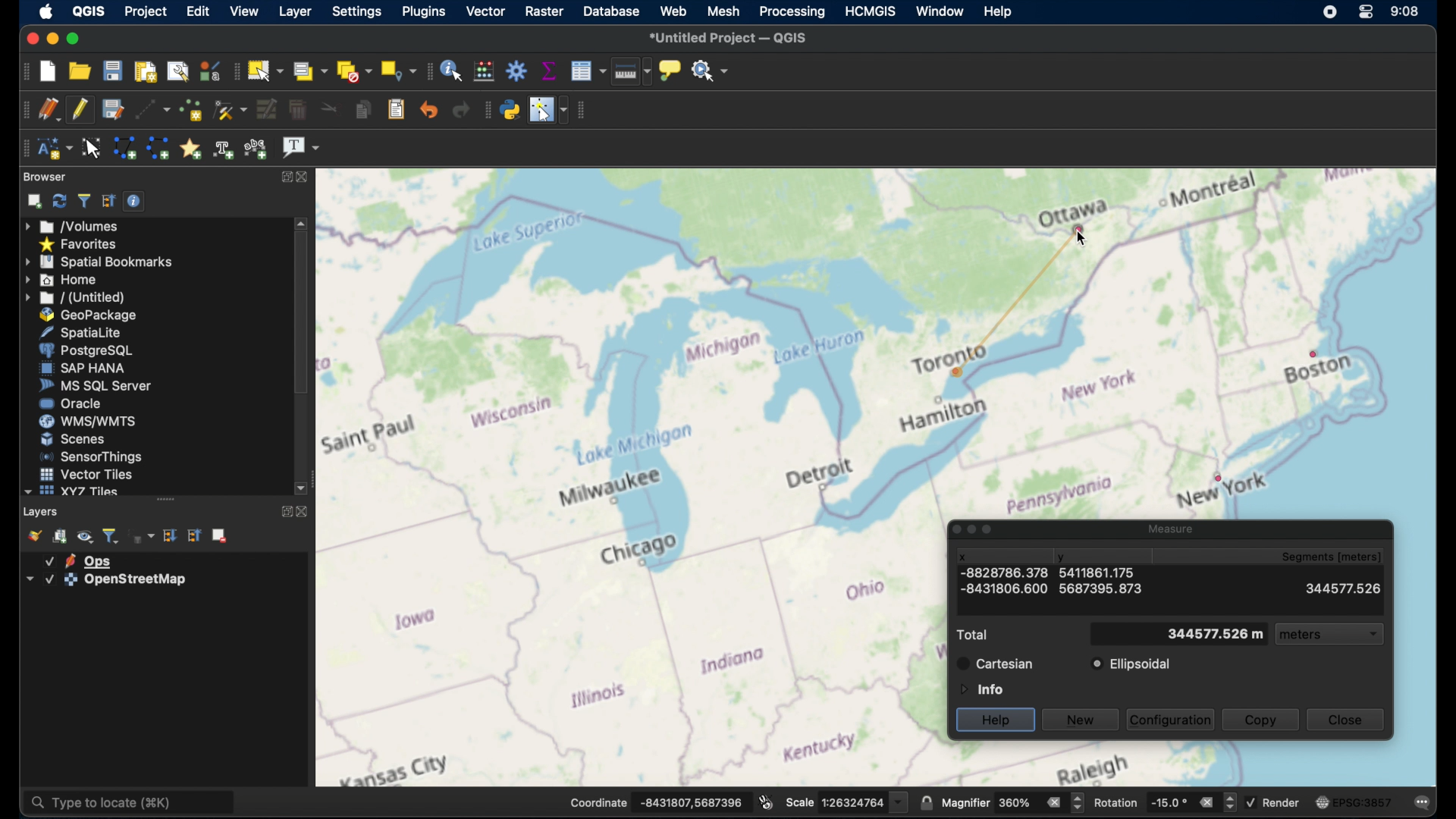 The height and width of the screenshot is (819, 1456). What do you see at coordinates (31, 201) in the screenshot?
I see `add selected layers` at bounding box center [31, 201].